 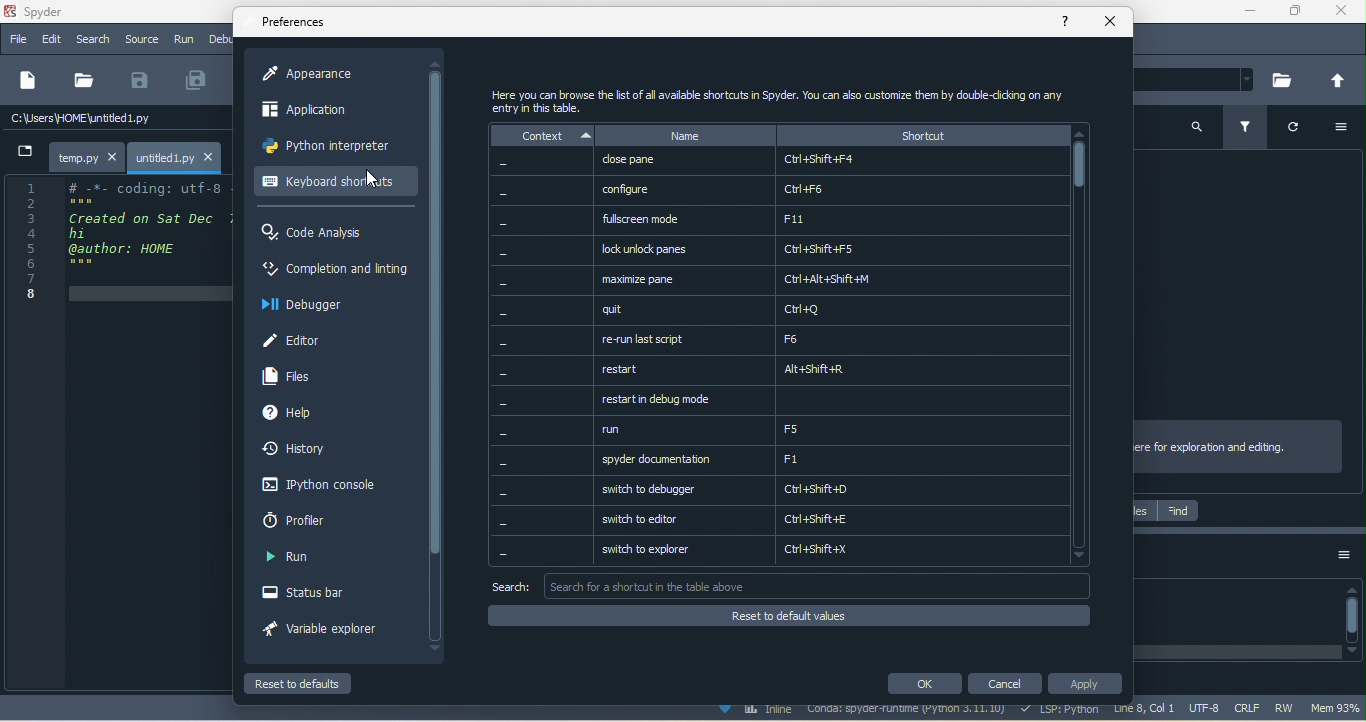 I want to click on Maximize pane, so click(x=831, y=280).